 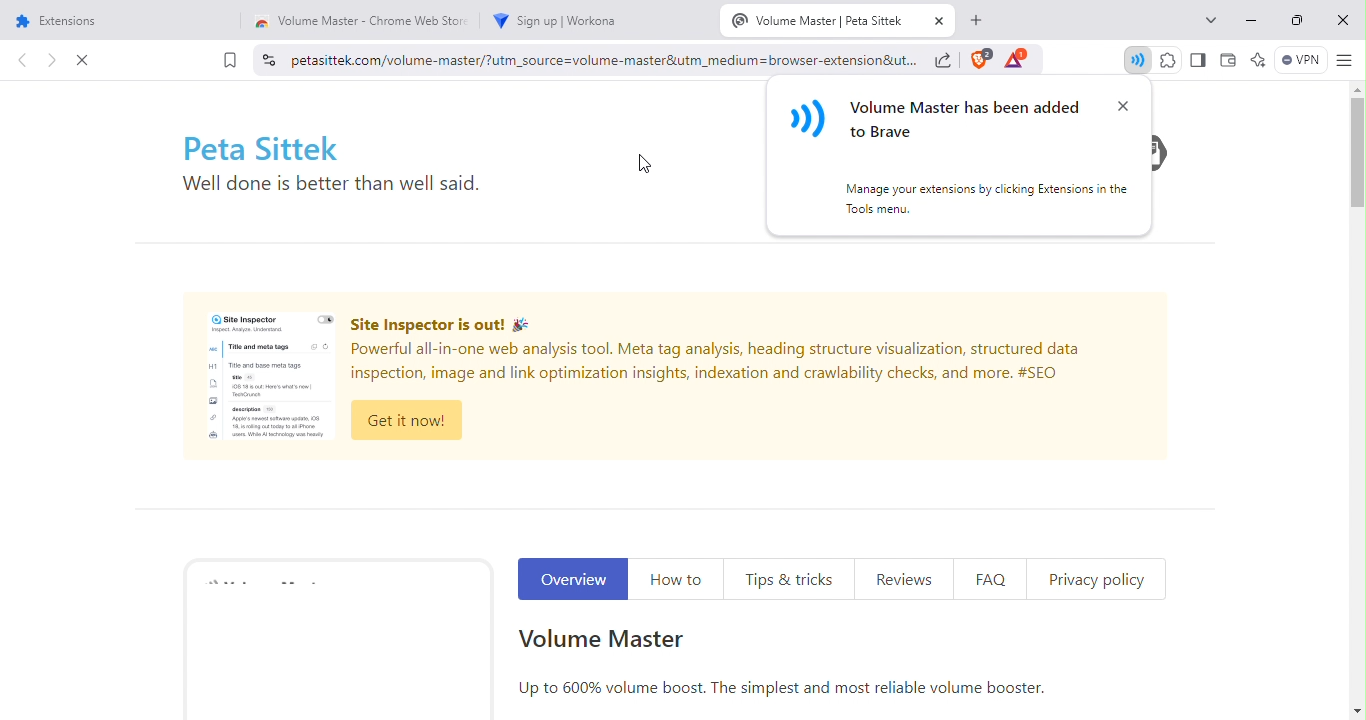 I want to click on new tab , so click(x=979, y=19).